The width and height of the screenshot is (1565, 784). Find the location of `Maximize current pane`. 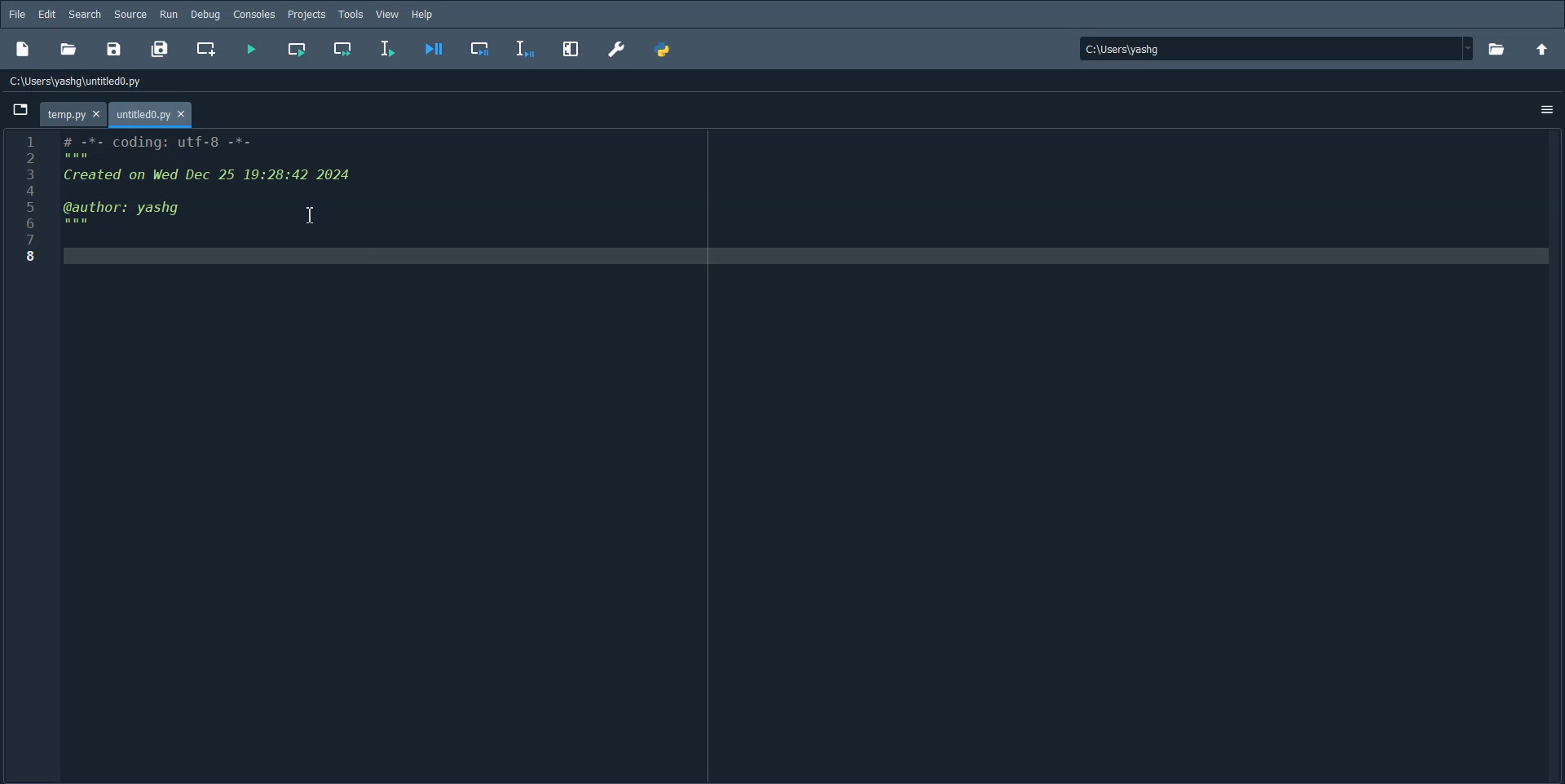

Maximize current pane is located at coordinates (572, 51).